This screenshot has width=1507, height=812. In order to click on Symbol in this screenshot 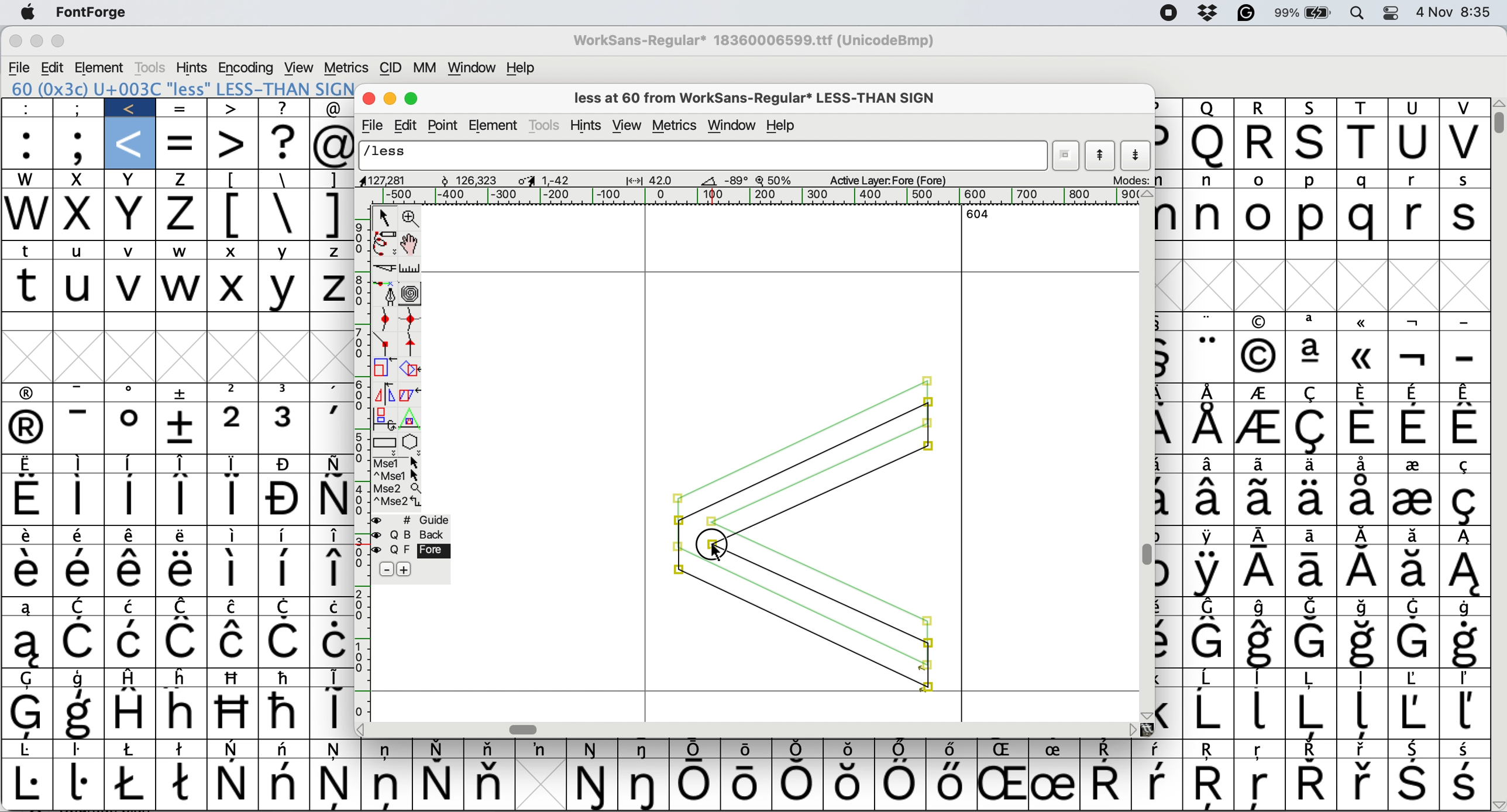, I will do `click(1467, 464)`.